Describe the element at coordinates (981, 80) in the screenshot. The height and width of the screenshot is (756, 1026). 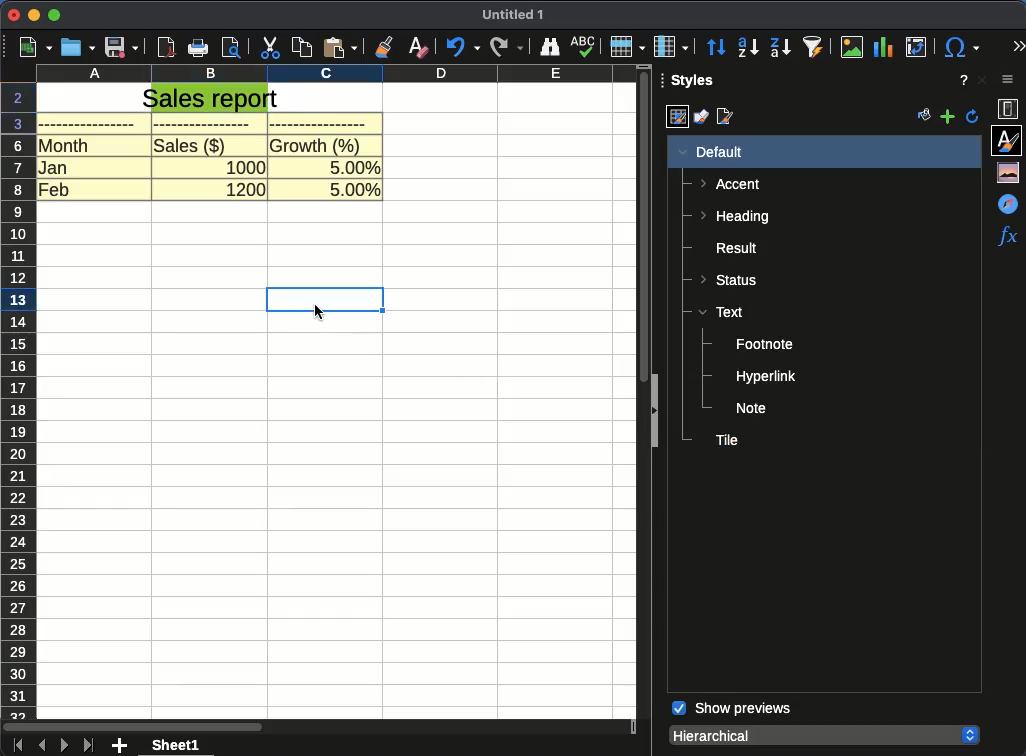
I see `close` at that location.